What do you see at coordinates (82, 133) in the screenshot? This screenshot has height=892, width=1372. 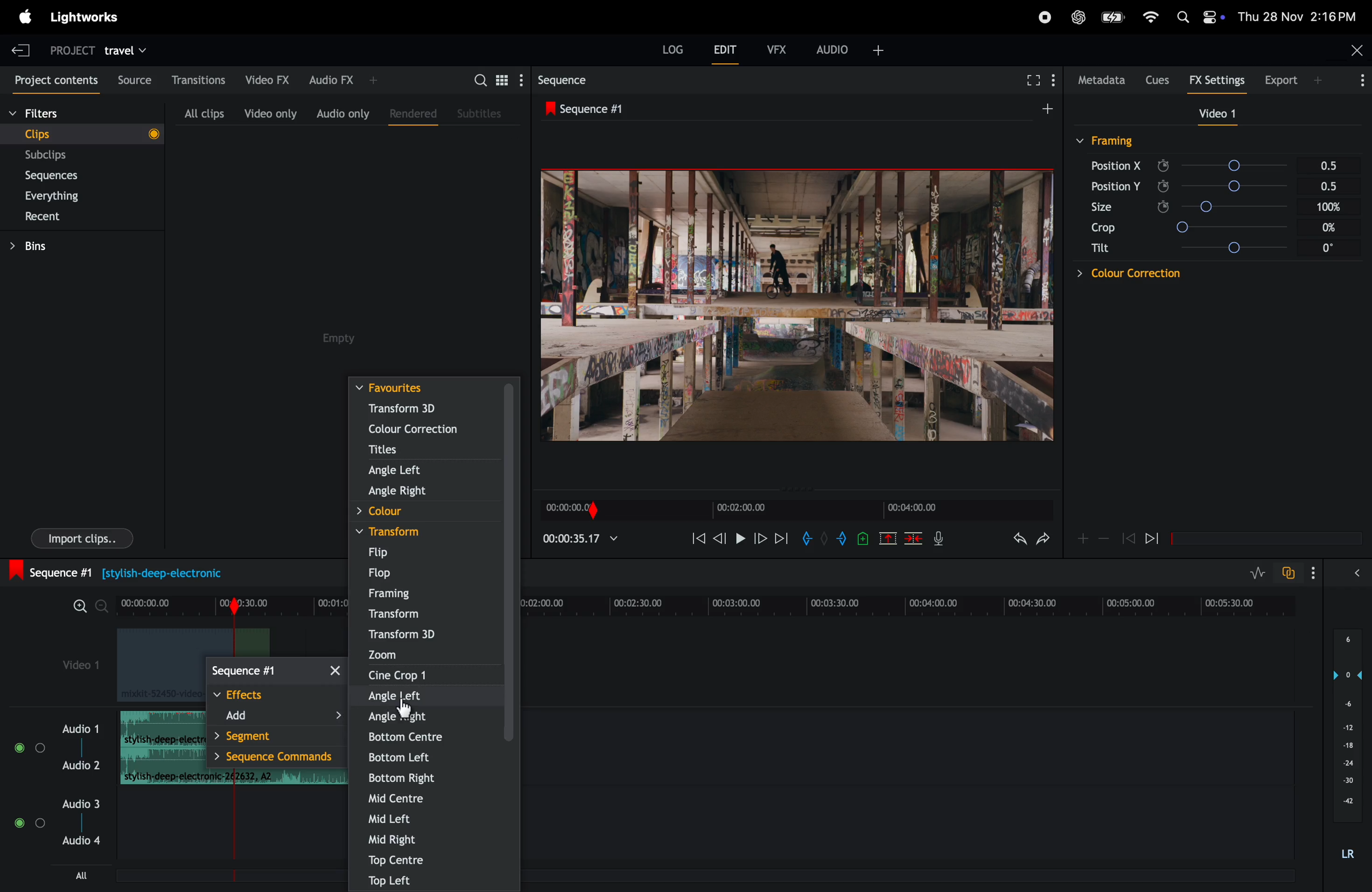 I see `clips` at bounding box center [82, 133].